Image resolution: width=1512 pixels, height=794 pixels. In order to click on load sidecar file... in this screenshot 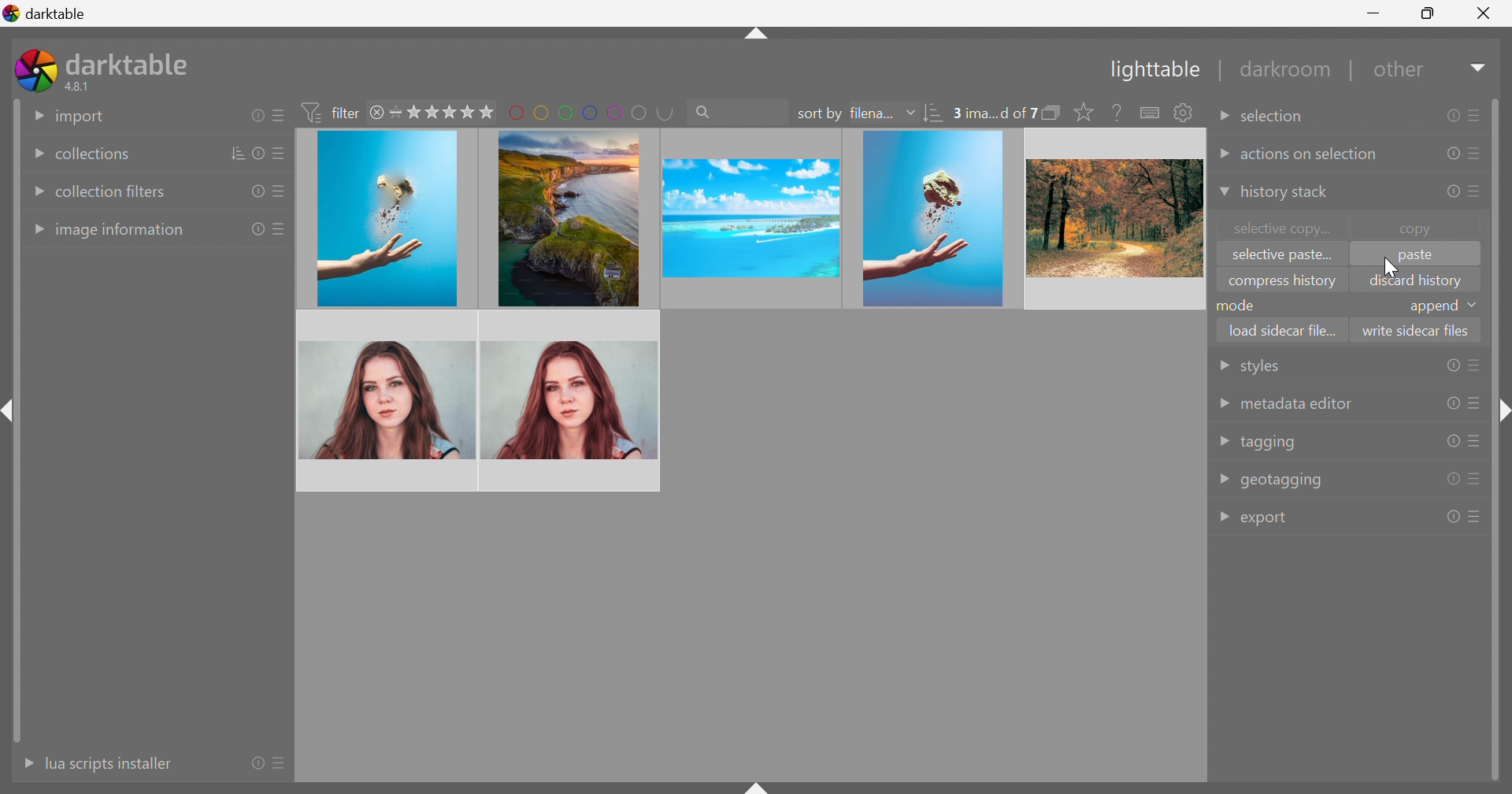, I will do `click(1284, 328)`.